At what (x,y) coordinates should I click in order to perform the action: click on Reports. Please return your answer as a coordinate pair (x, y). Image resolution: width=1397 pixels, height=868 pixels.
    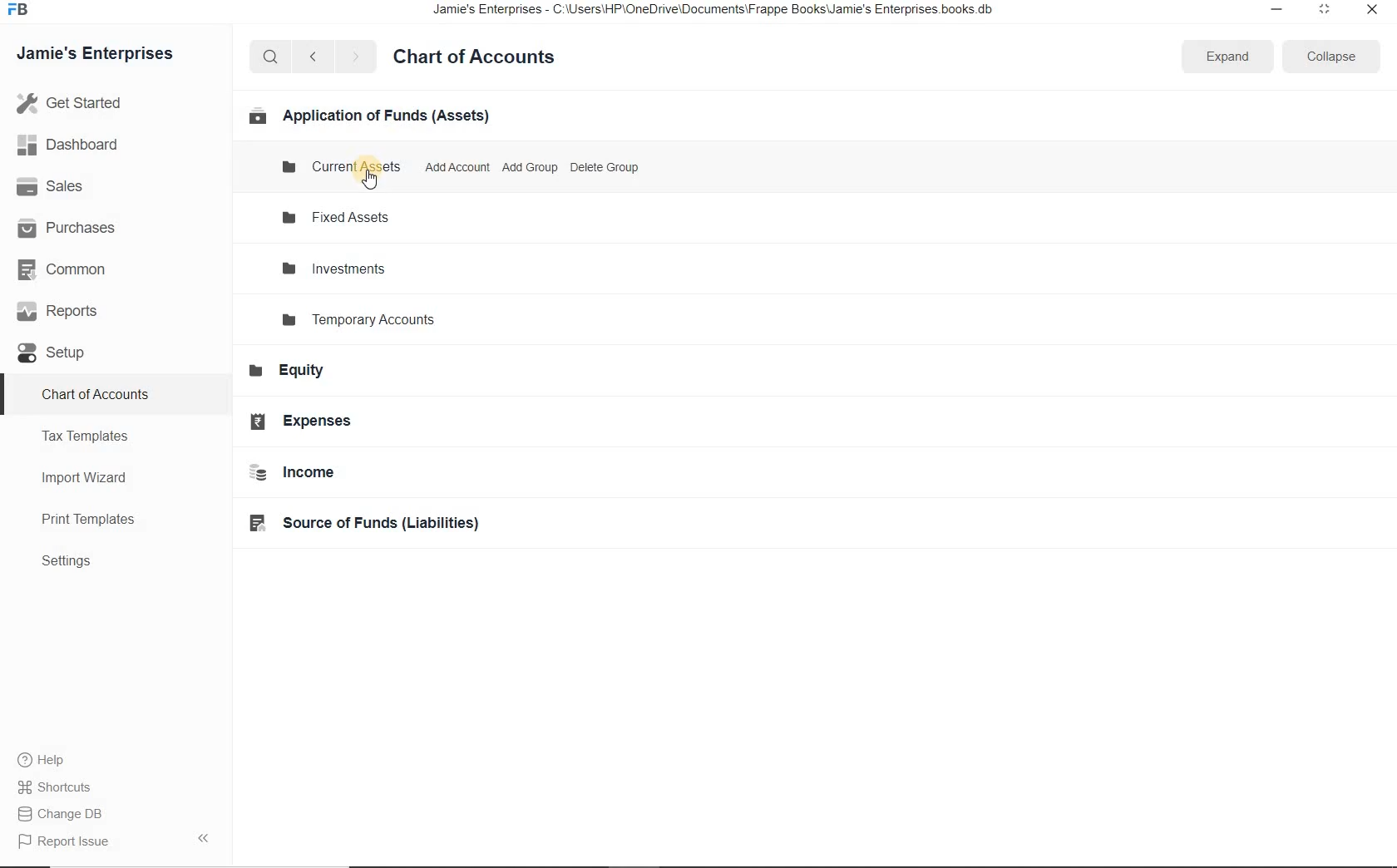
    Looking at the image, I should click on (74, 313).